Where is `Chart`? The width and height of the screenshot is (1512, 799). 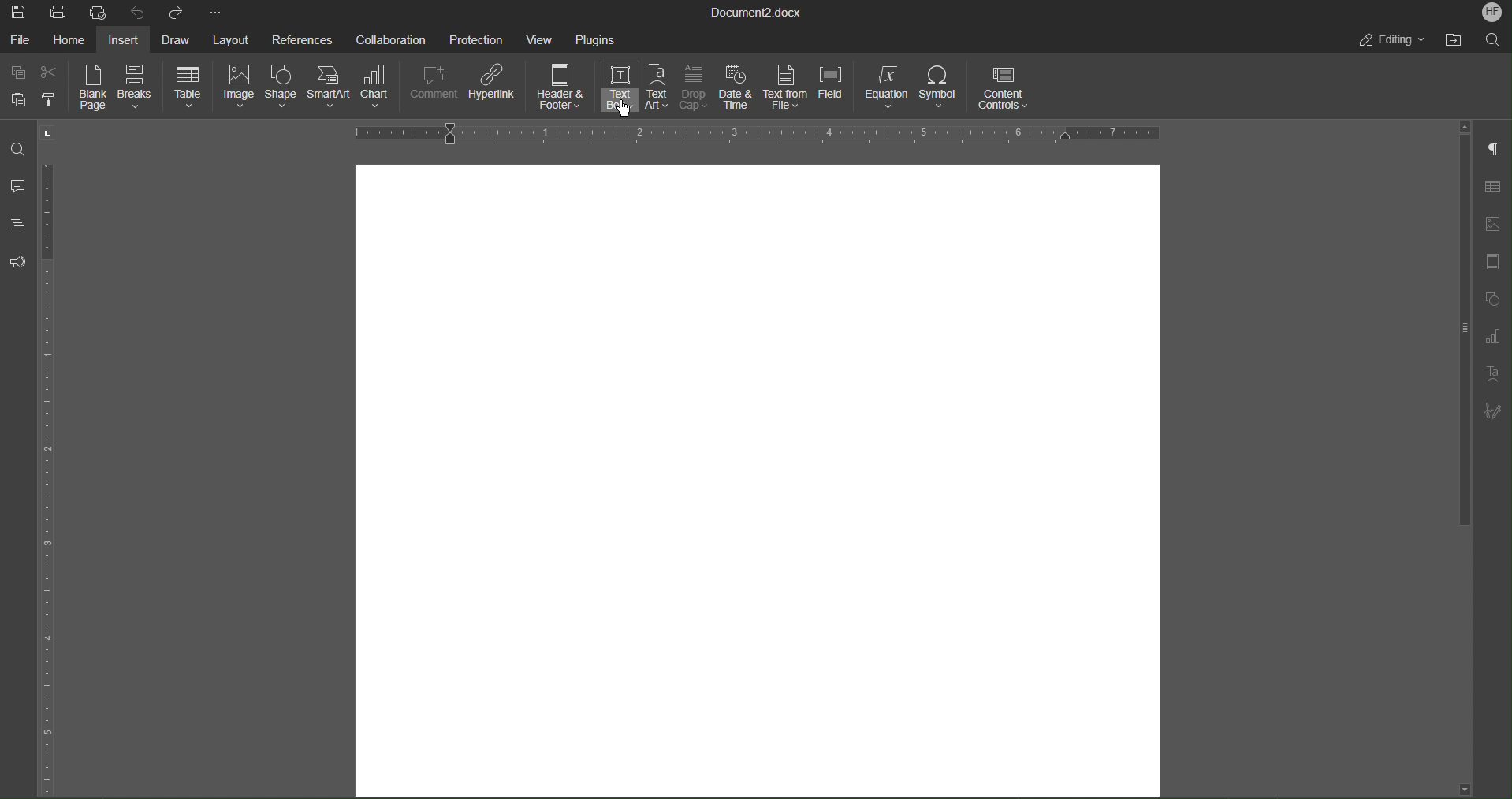
Chart is located at coordinates (379, 90).